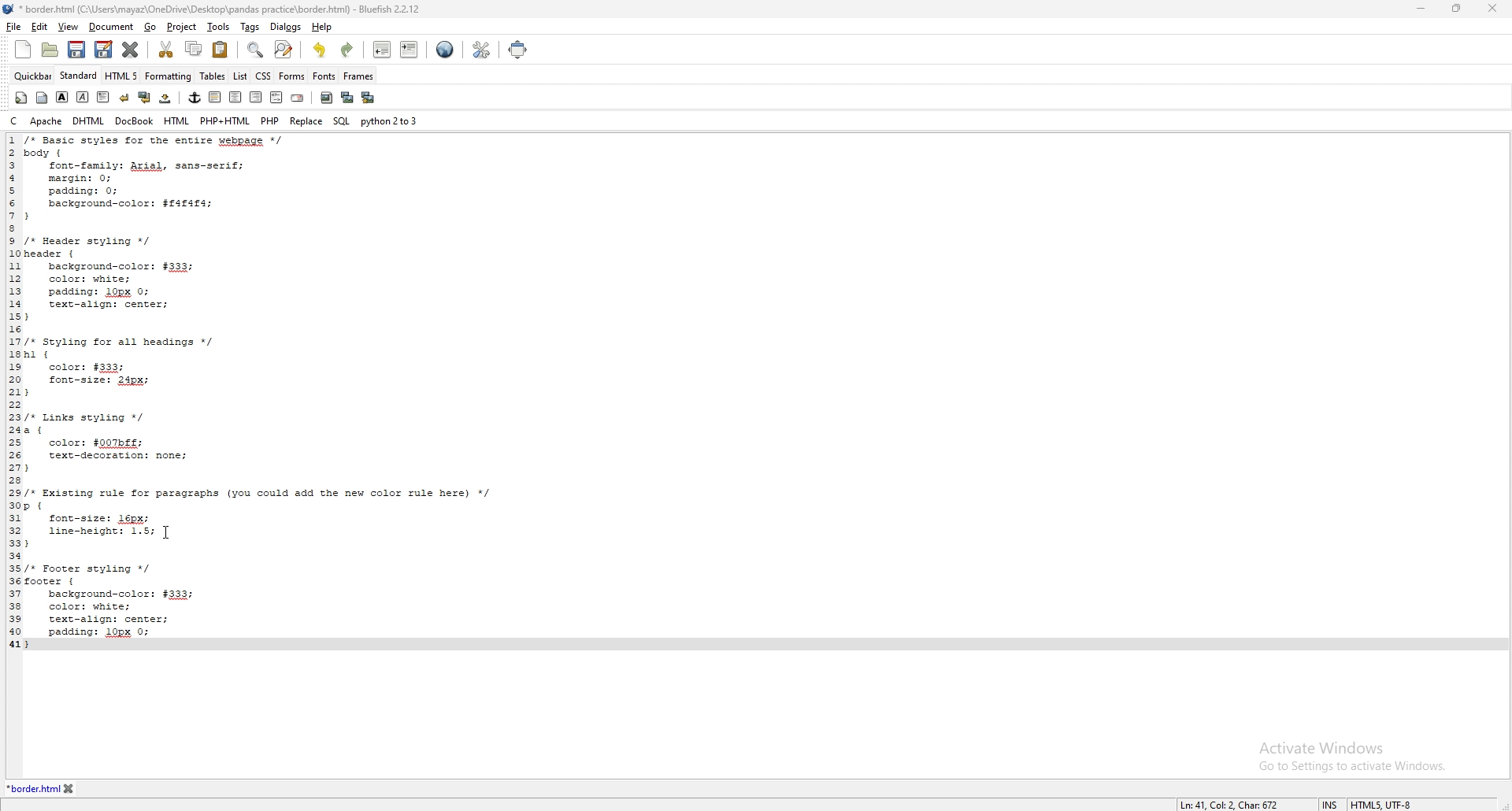 The height and width of the screenshot is (811, 1512). I want to click on Ln:41, Col: 2, Char: 672, so click(1224, 801).